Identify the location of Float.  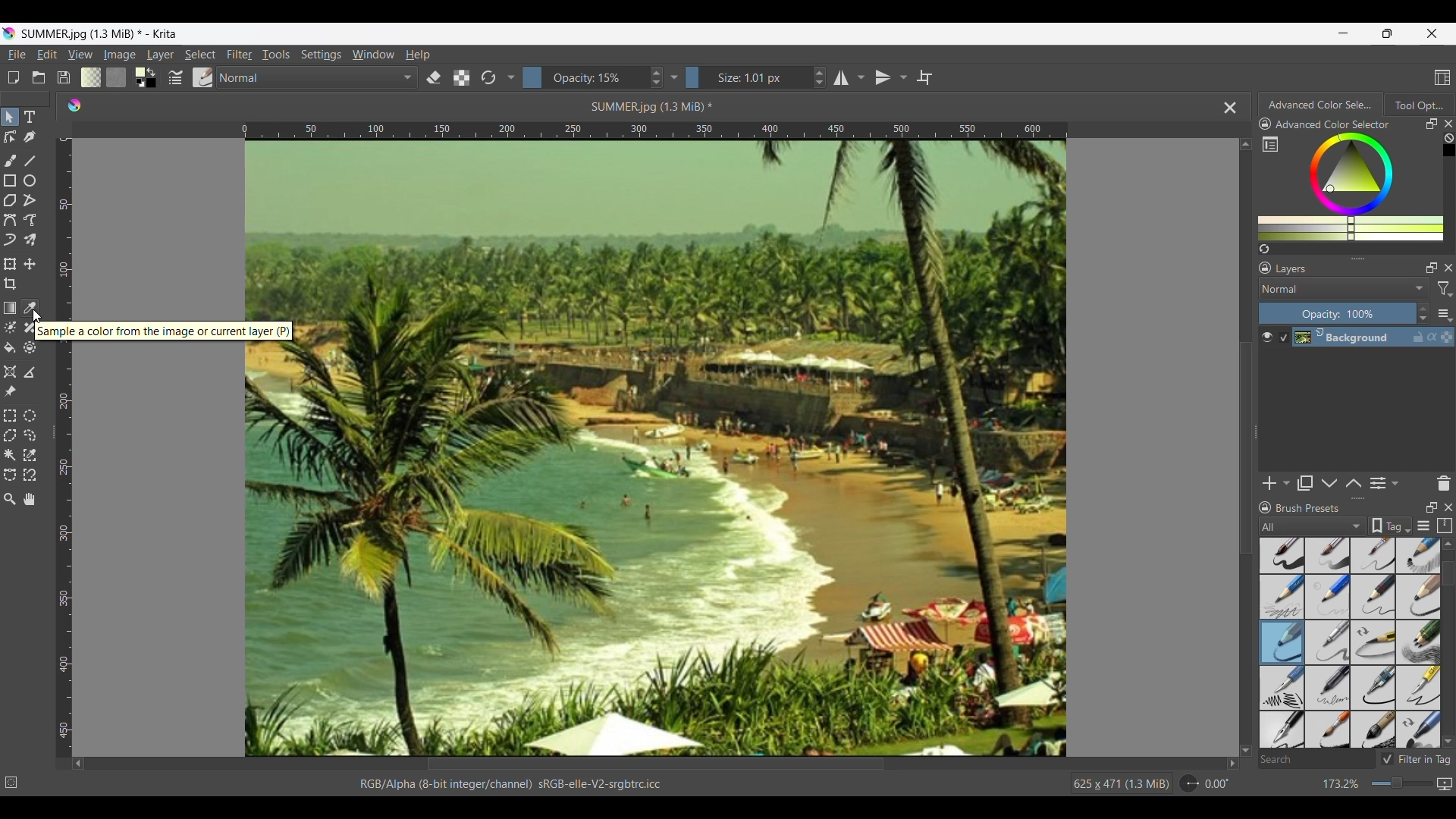
(1432, 507).